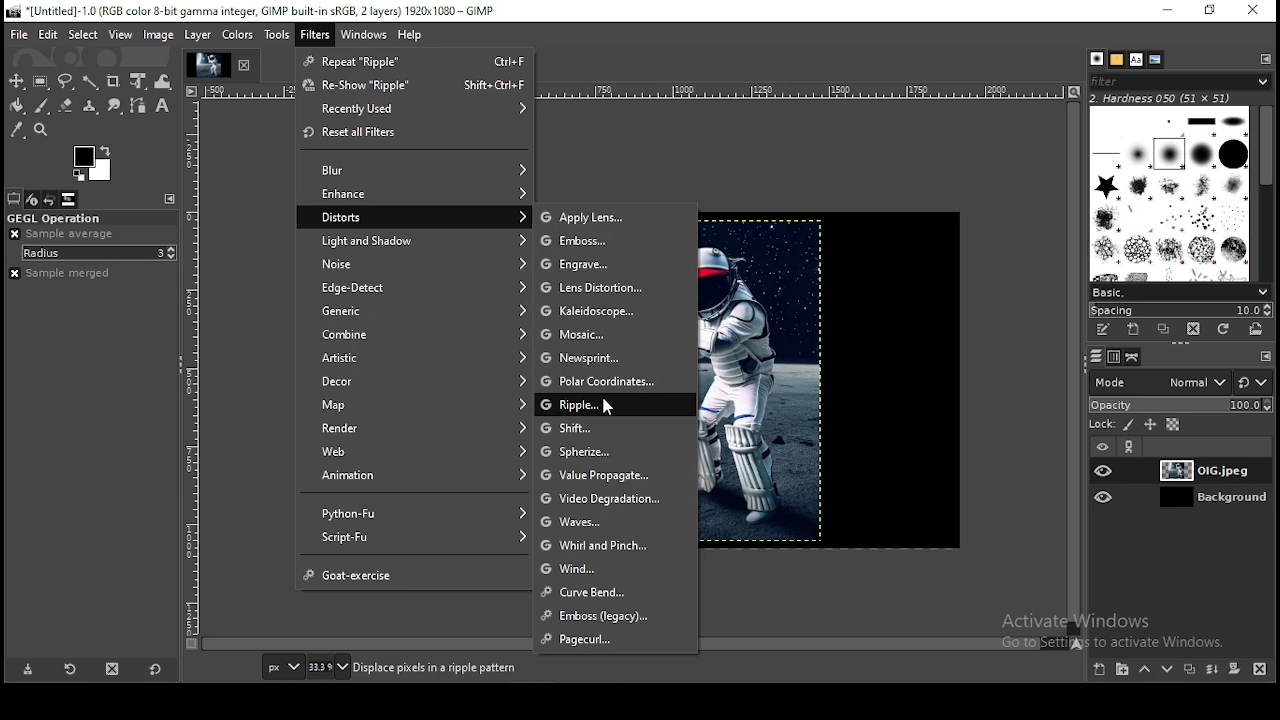  I want to click on delete this layer, so click(1260, 670).